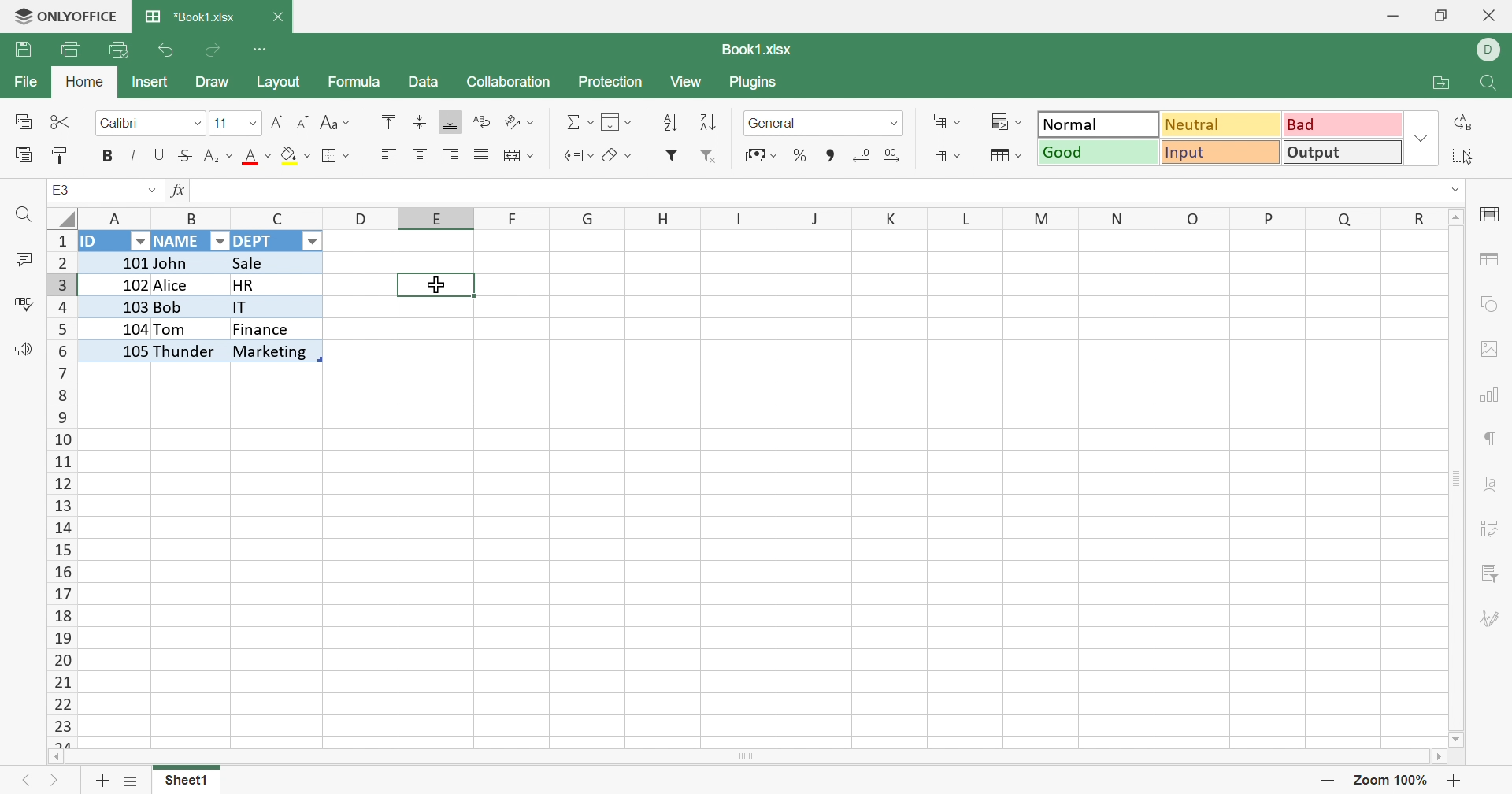 The height and width of the screenshot is (794, 1512). I want to click on Column Names, so click(759, 217).